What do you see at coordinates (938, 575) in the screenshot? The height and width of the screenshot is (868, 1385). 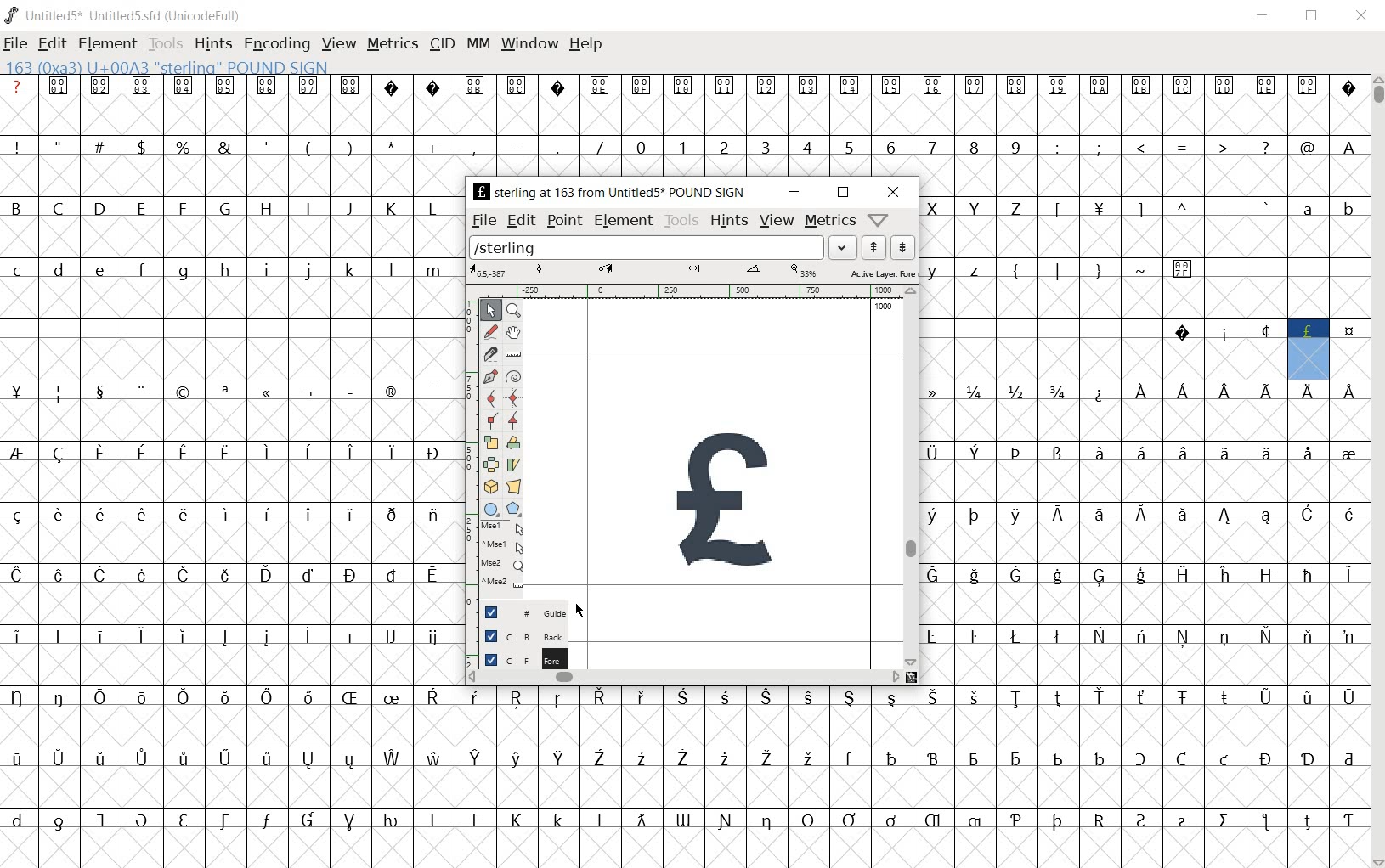 I see `Symbol` at bounding box center [938, 575].